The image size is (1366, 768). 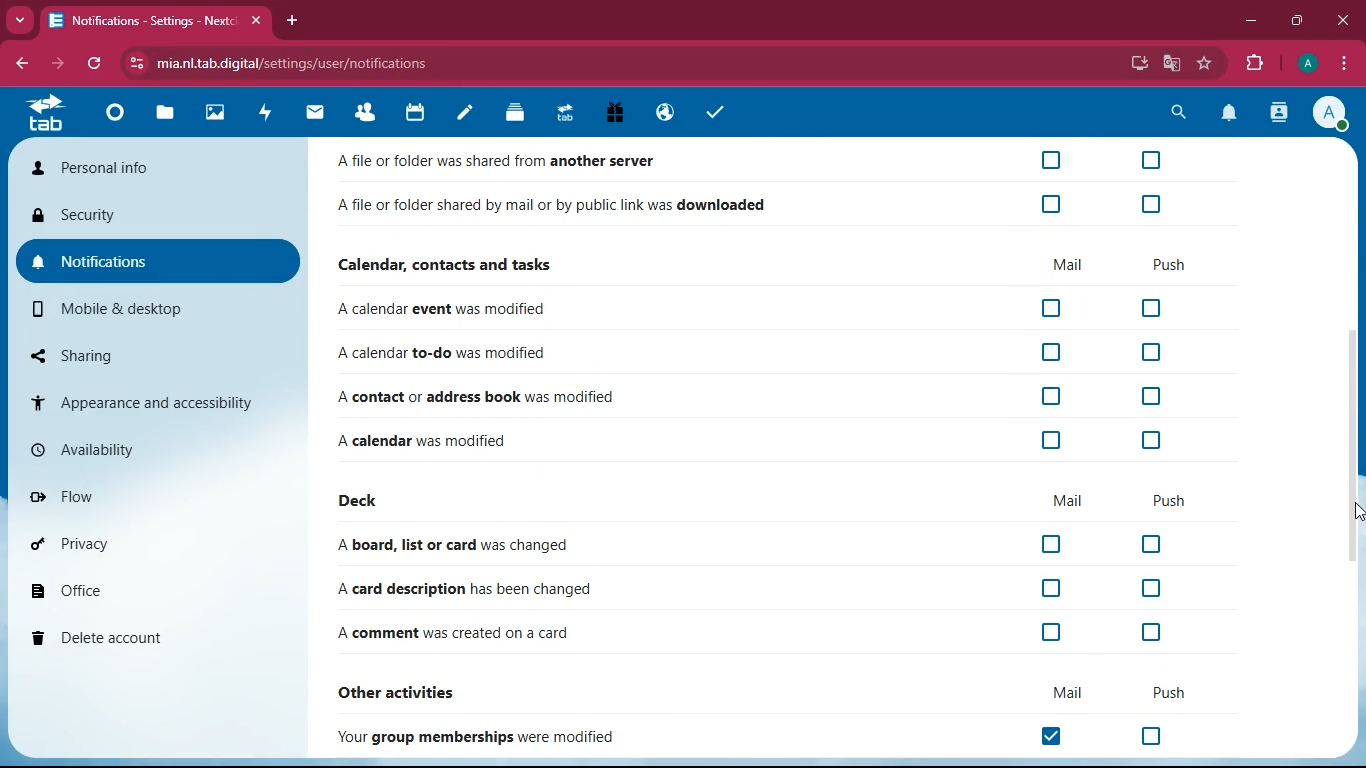 I want to click on Account, so click(x=1330, y=112).